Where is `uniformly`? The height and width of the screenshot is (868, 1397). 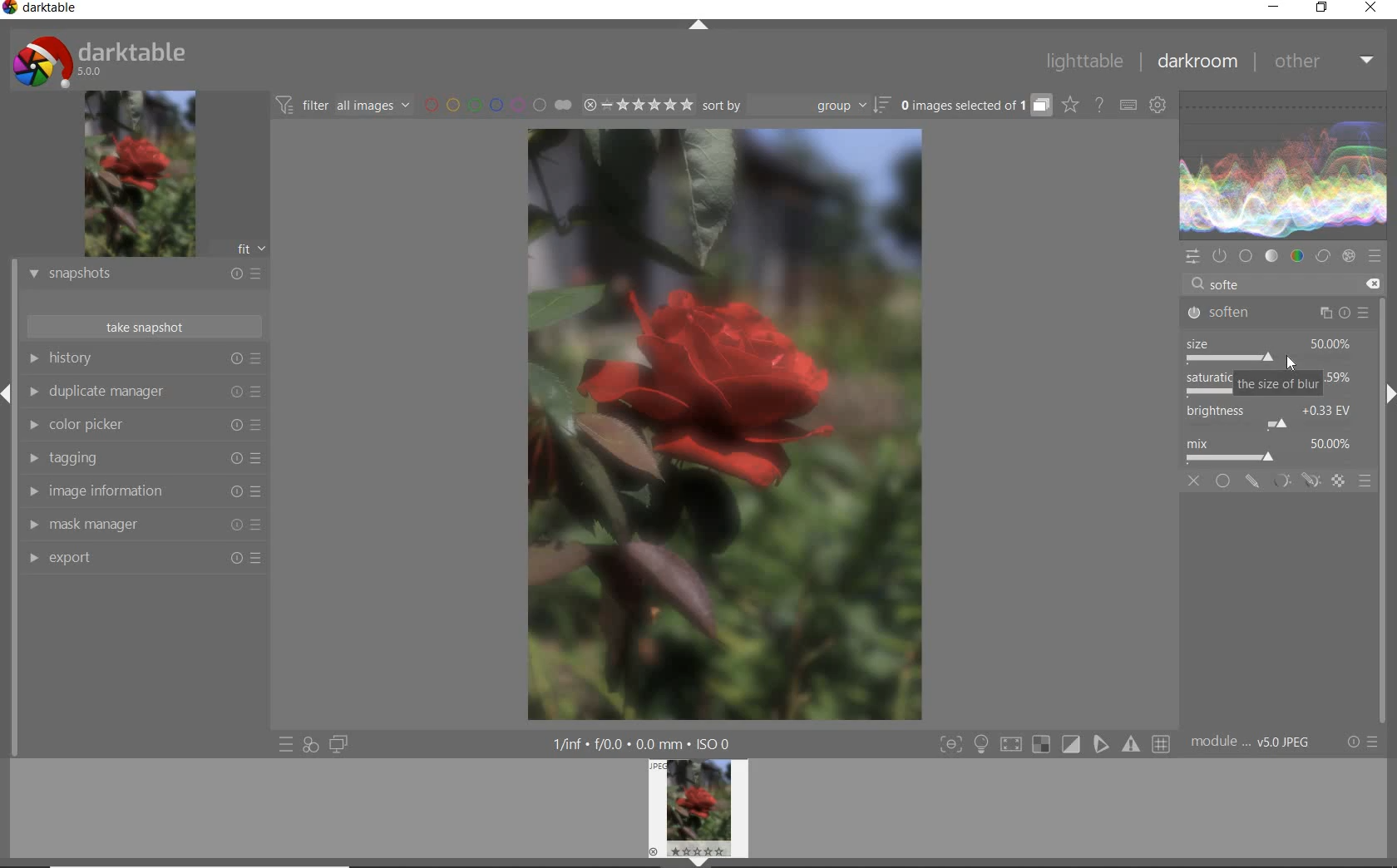 uniformly is located at coordinates (1223, 481).